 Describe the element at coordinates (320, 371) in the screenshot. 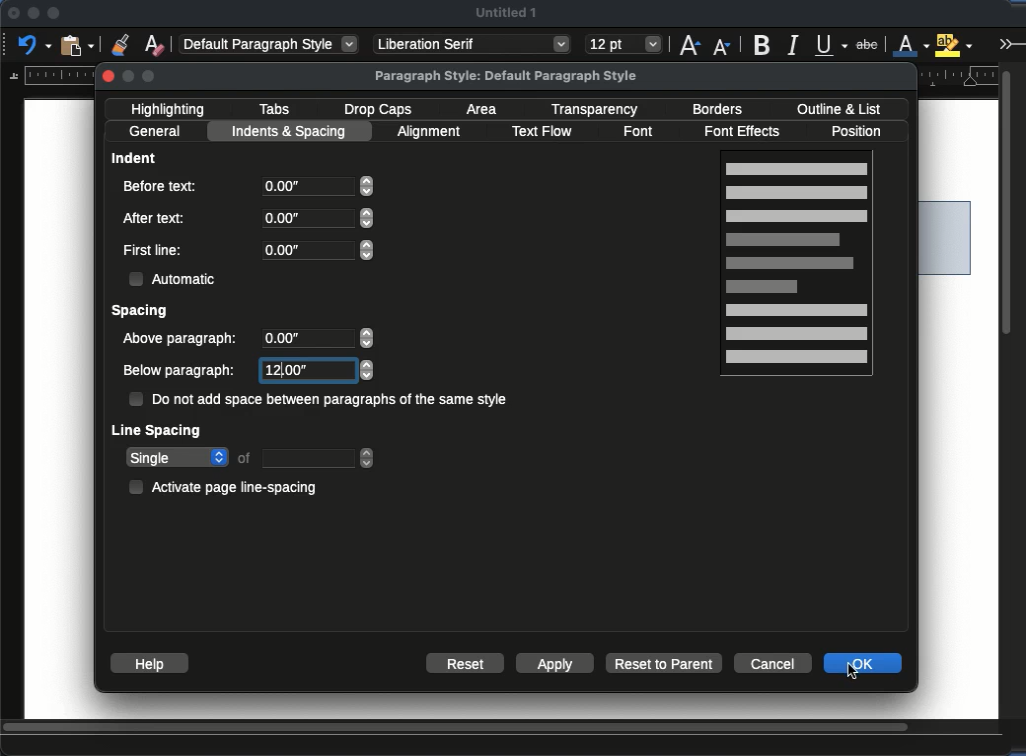

I see `12.00"` at that location.